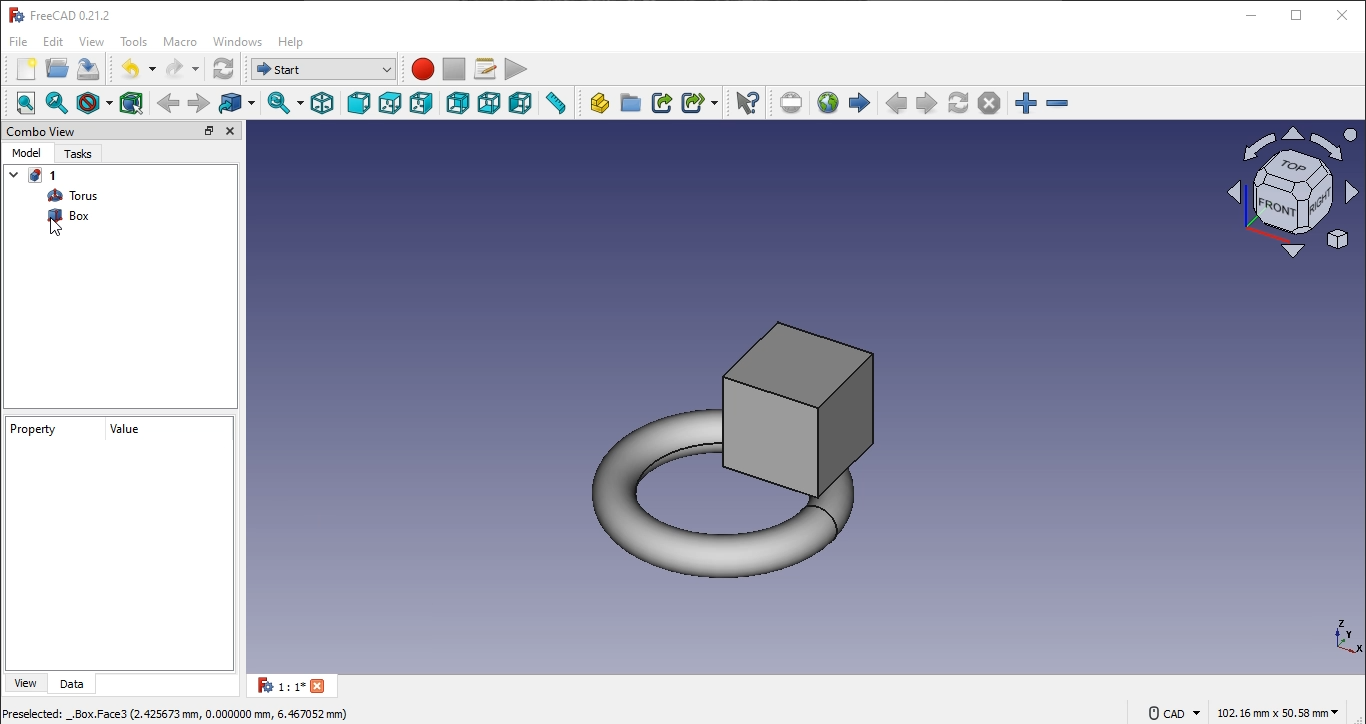 Image resolution: width=1366 pixels, height=724 pixels. Describe the element at coordinates (21, 41) in the screenshot. I see `file` at that location.